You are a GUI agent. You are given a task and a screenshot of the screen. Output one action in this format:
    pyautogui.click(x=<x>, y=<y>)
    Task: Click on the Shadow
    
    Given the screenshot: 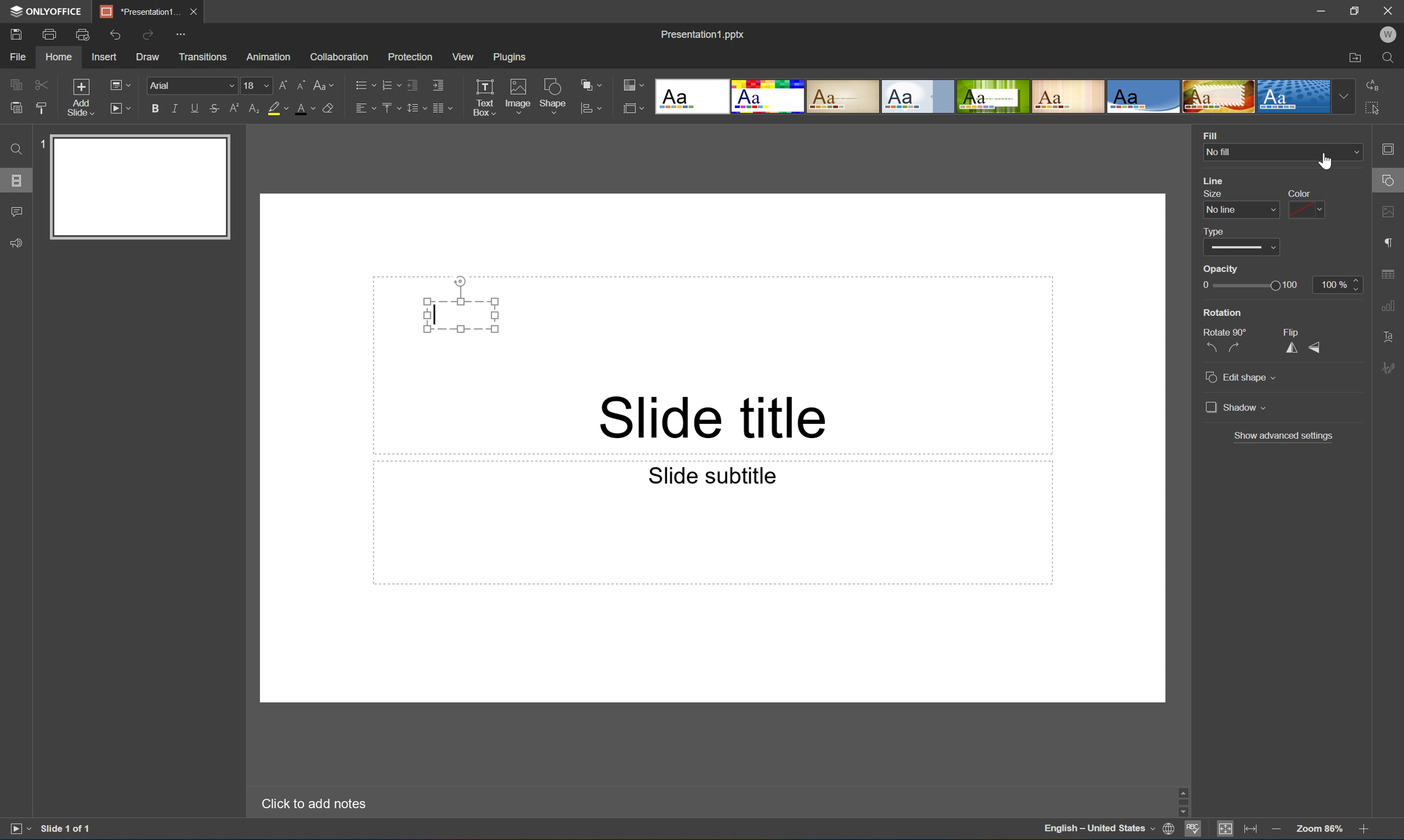 What is the action you would take?
    pyautogui.click(x=1236, y=409)
    